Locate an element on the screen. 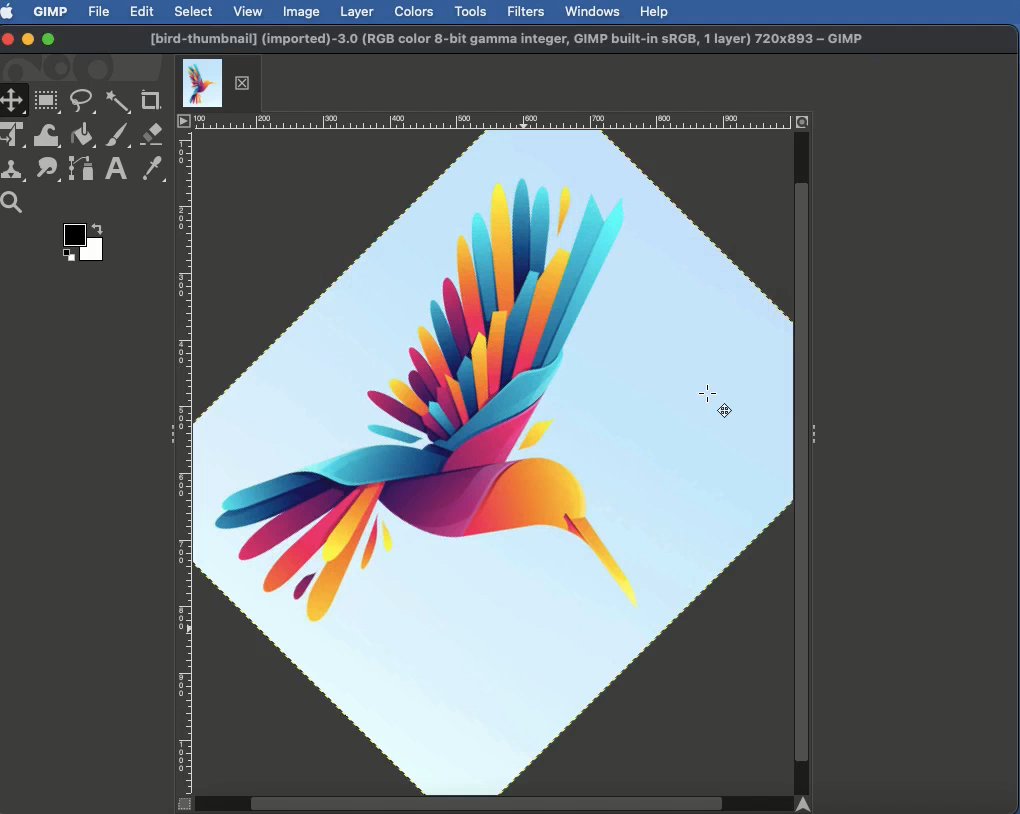 The image size is (1020, 814). Quick view mask on/off is located at coordinates (181, 805).